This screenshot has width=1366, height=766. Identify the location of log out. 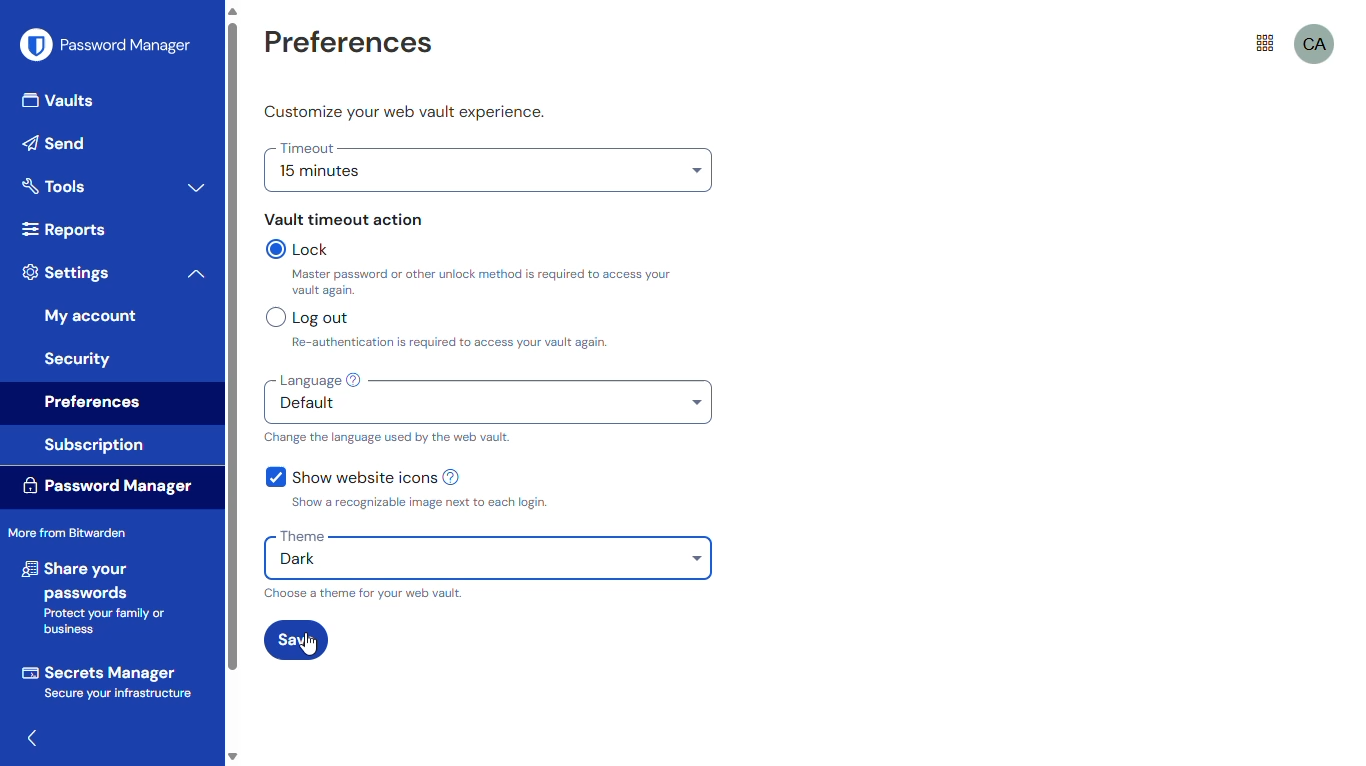
(307, 317).